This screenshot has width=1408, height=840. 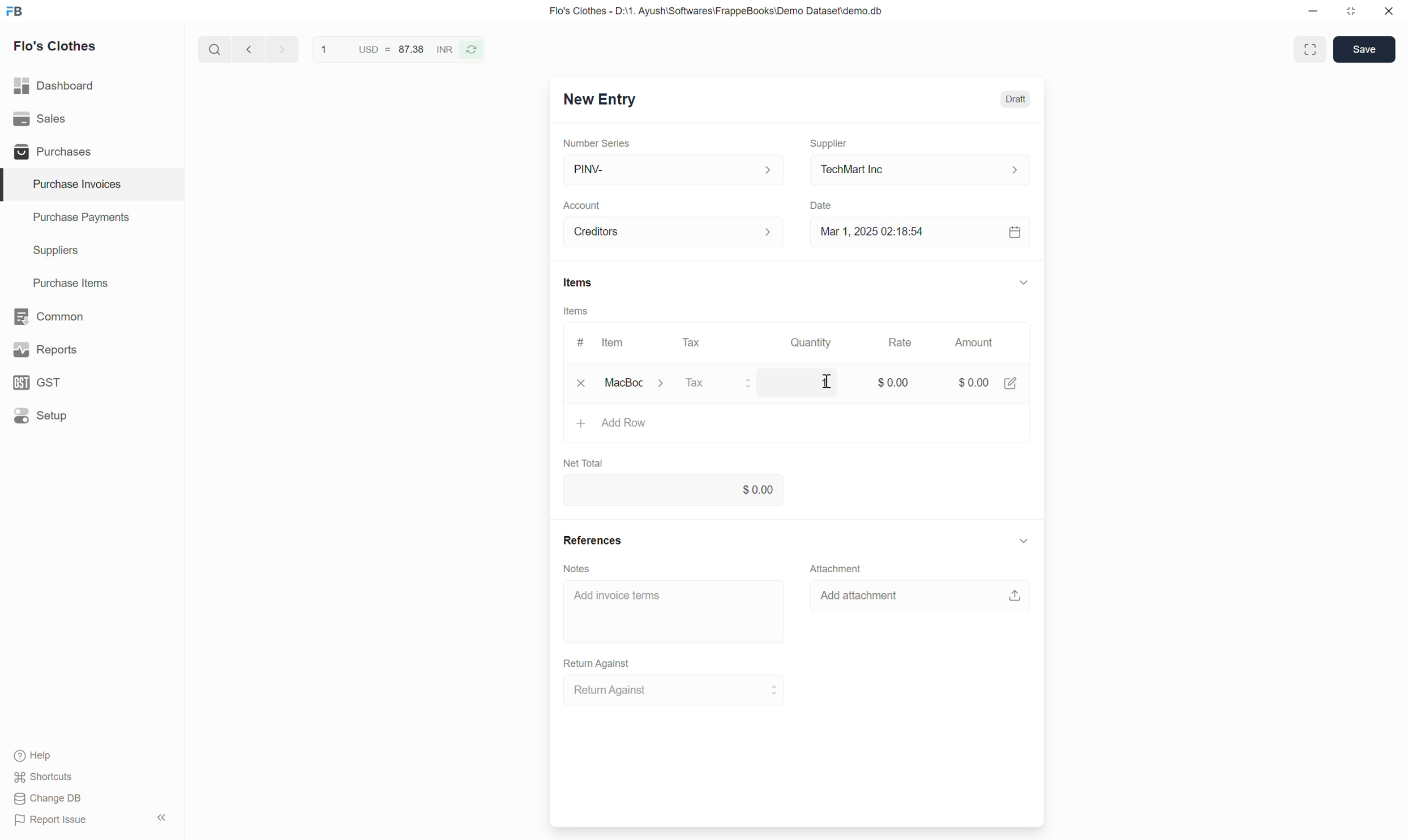 What do you see at coordinates (988, 379) in the screenshot?
I see `$0.00` at bounding box center [988, 379].